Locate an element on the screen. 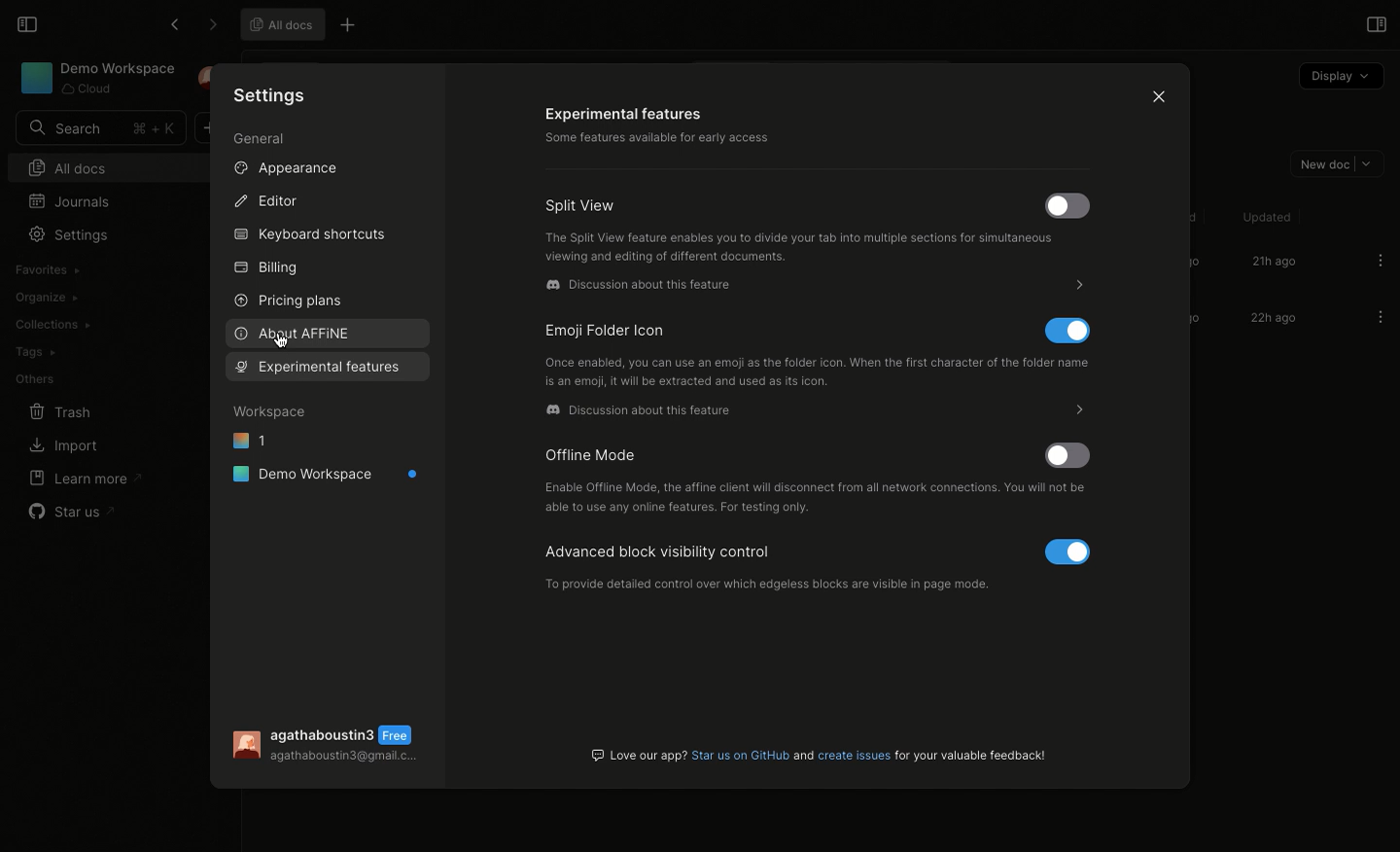 The height and width of the screenshot is (852, 1400). Pricing plans is located at coordinates (287, 302).